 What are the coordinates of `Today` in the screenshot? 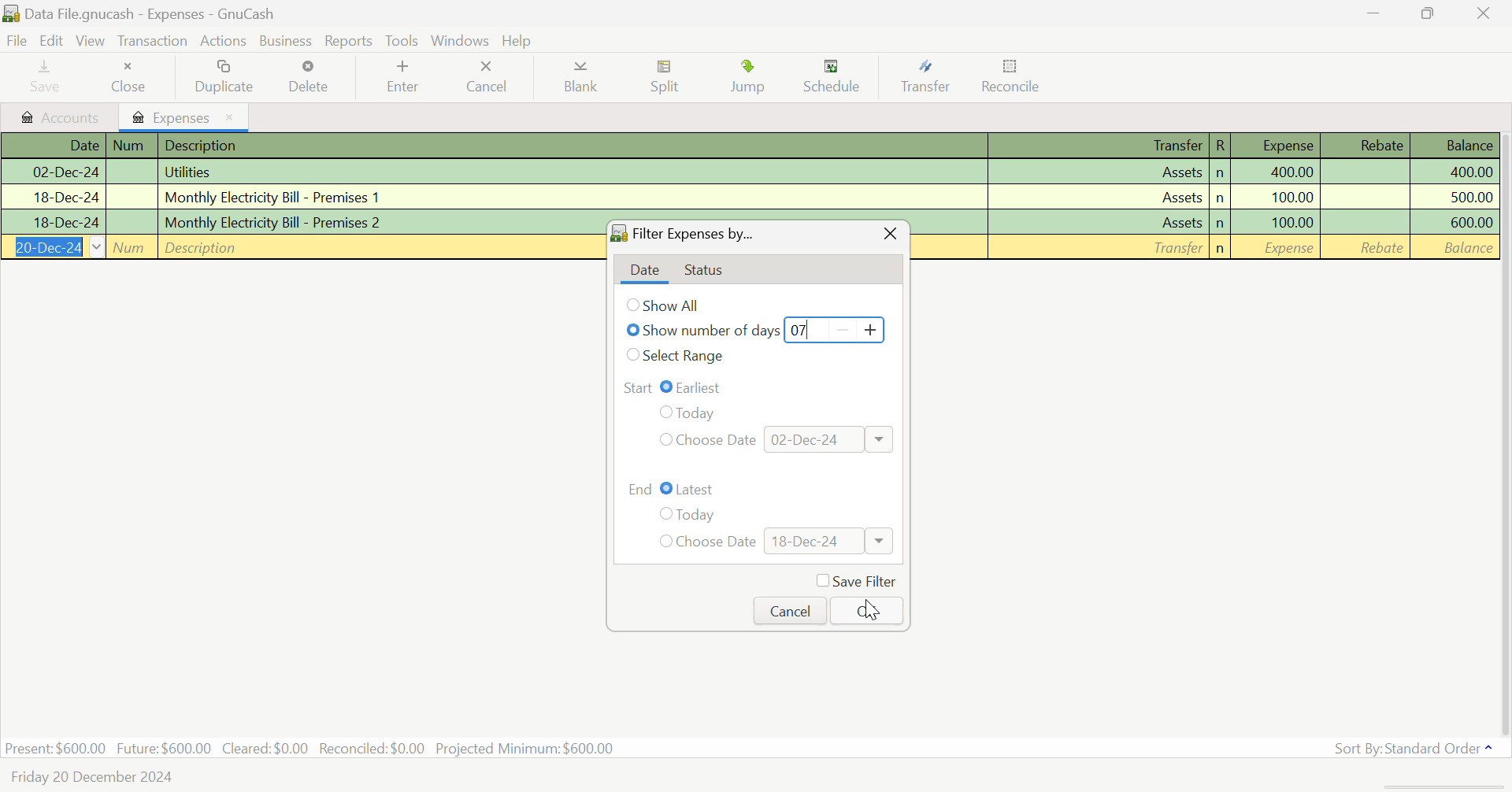 It's located at (688, 516).